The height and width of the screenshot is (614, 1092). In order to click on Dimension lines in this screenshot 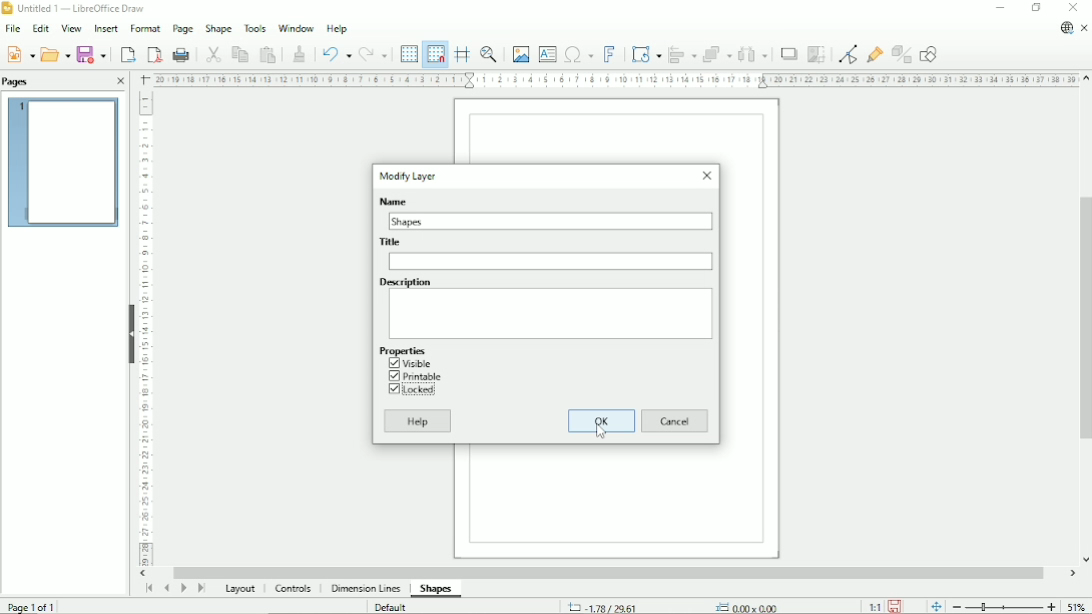, I will do `click(367, 589)`.